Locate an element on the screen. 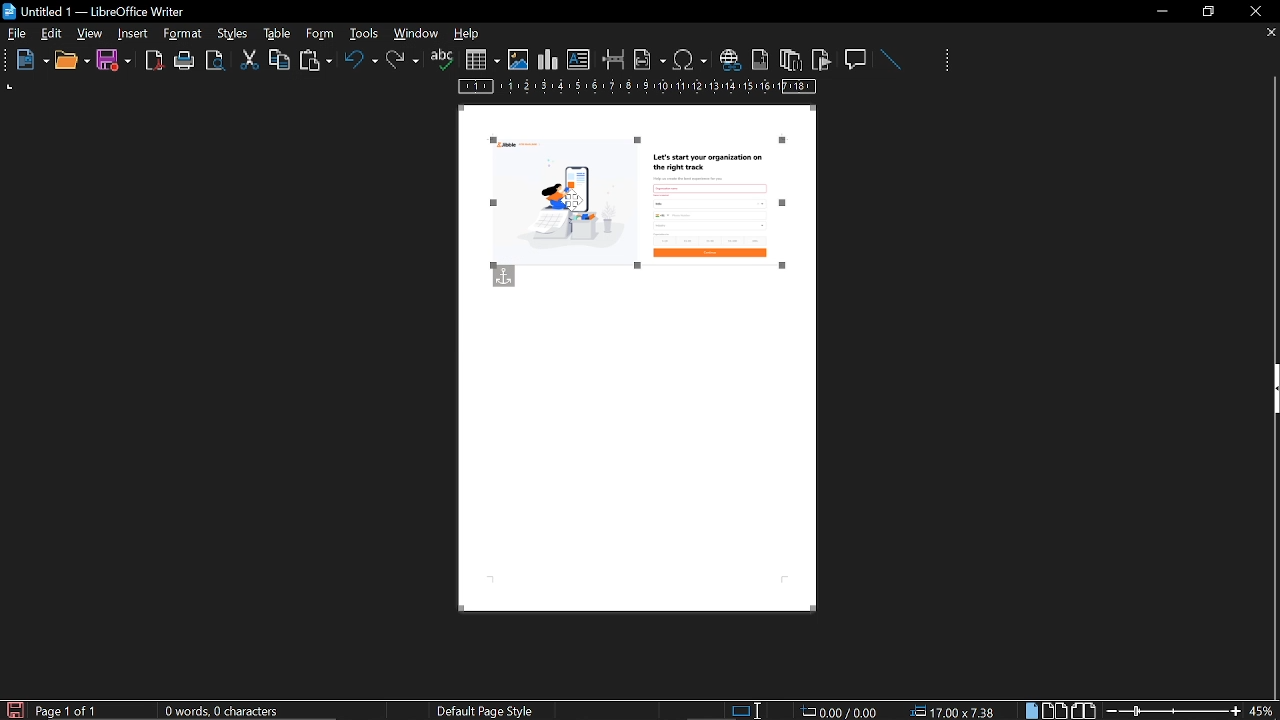  form is located at coordinates (366, 33).